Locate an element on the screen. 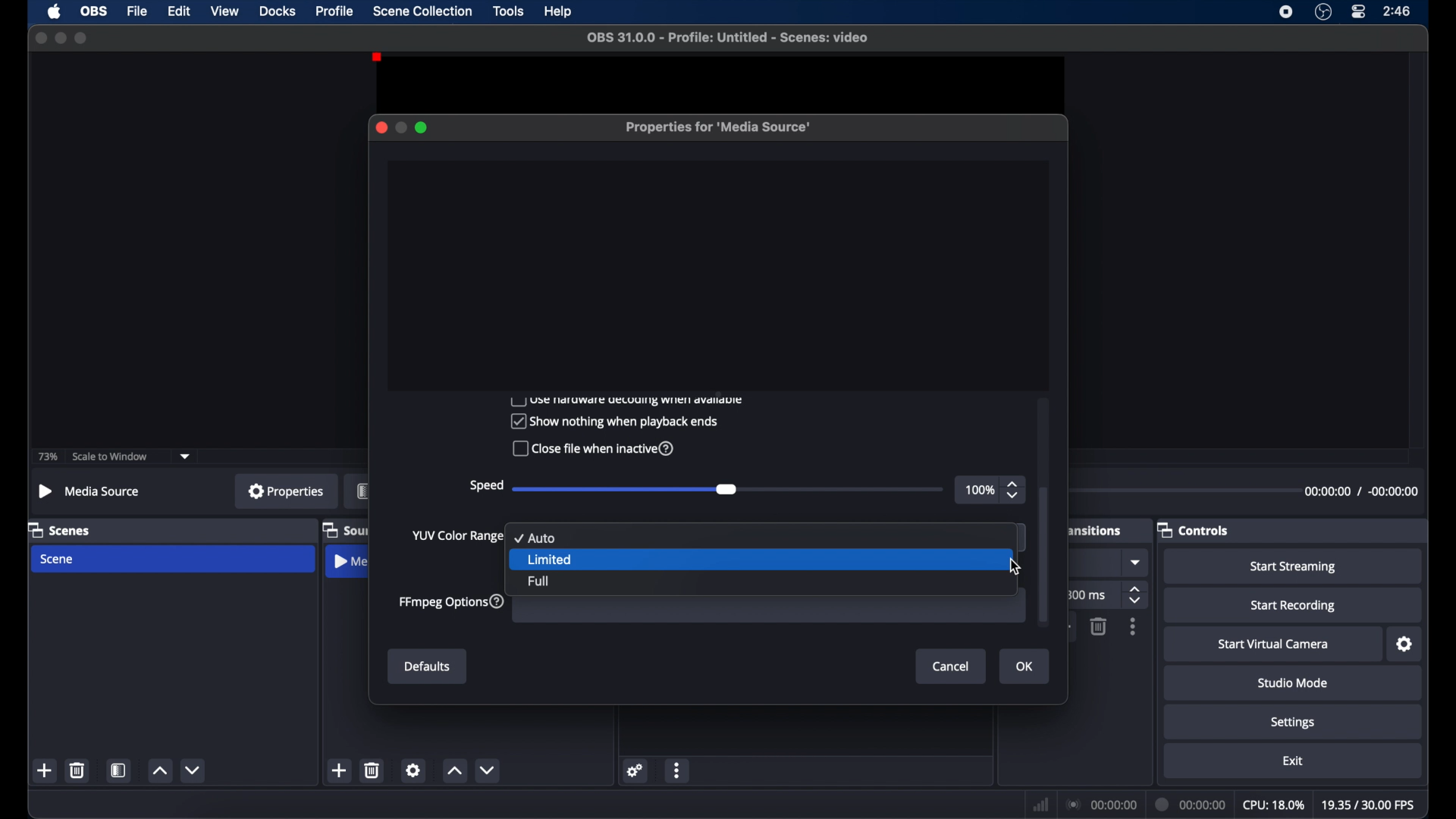 This screenshot has height=819, width=1456. studio mode is located at coordinates (1293, 682).